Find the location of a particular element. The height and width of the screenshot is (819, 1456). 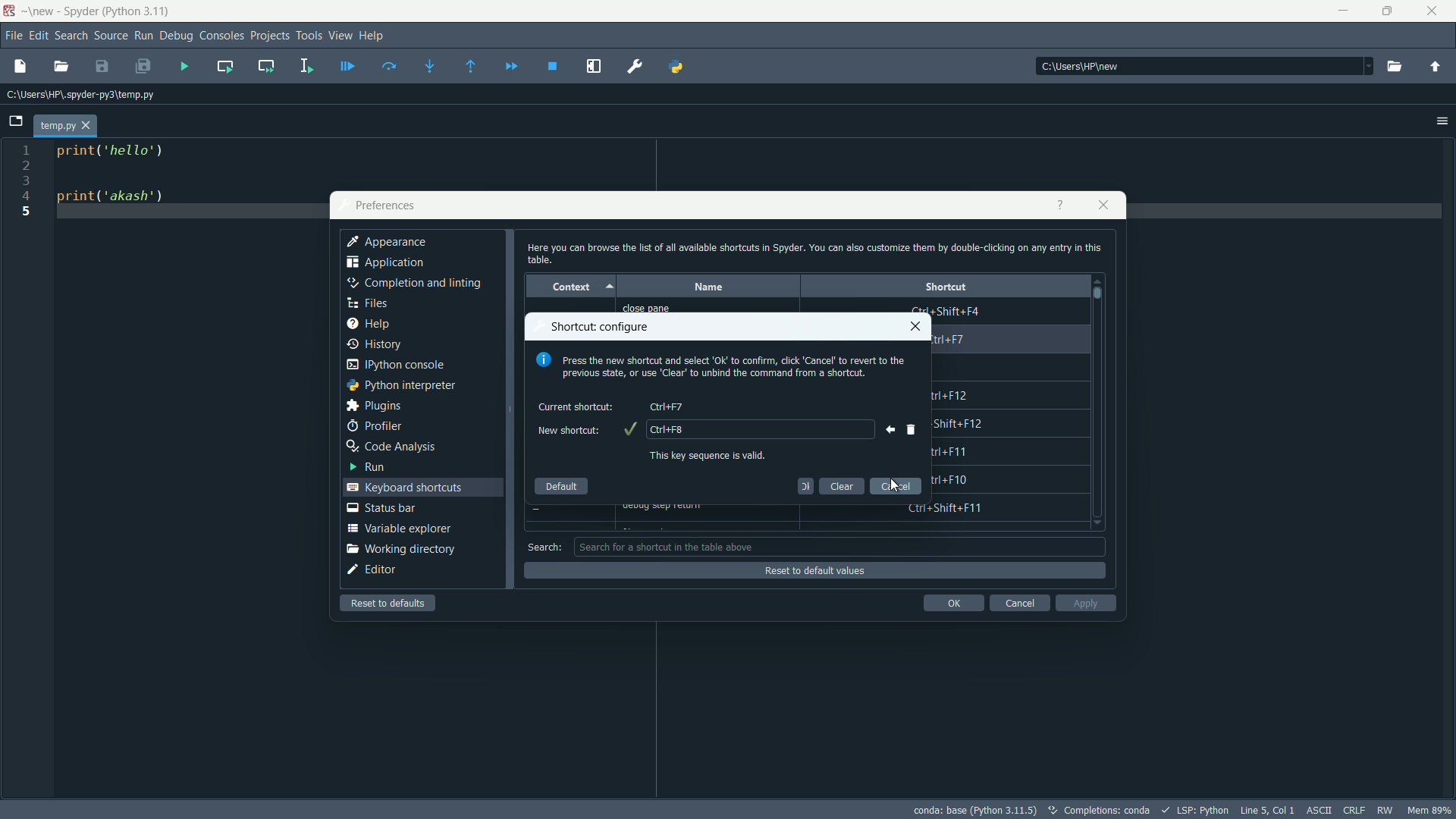

remove last key sequence is located at coordinates (886, 429).